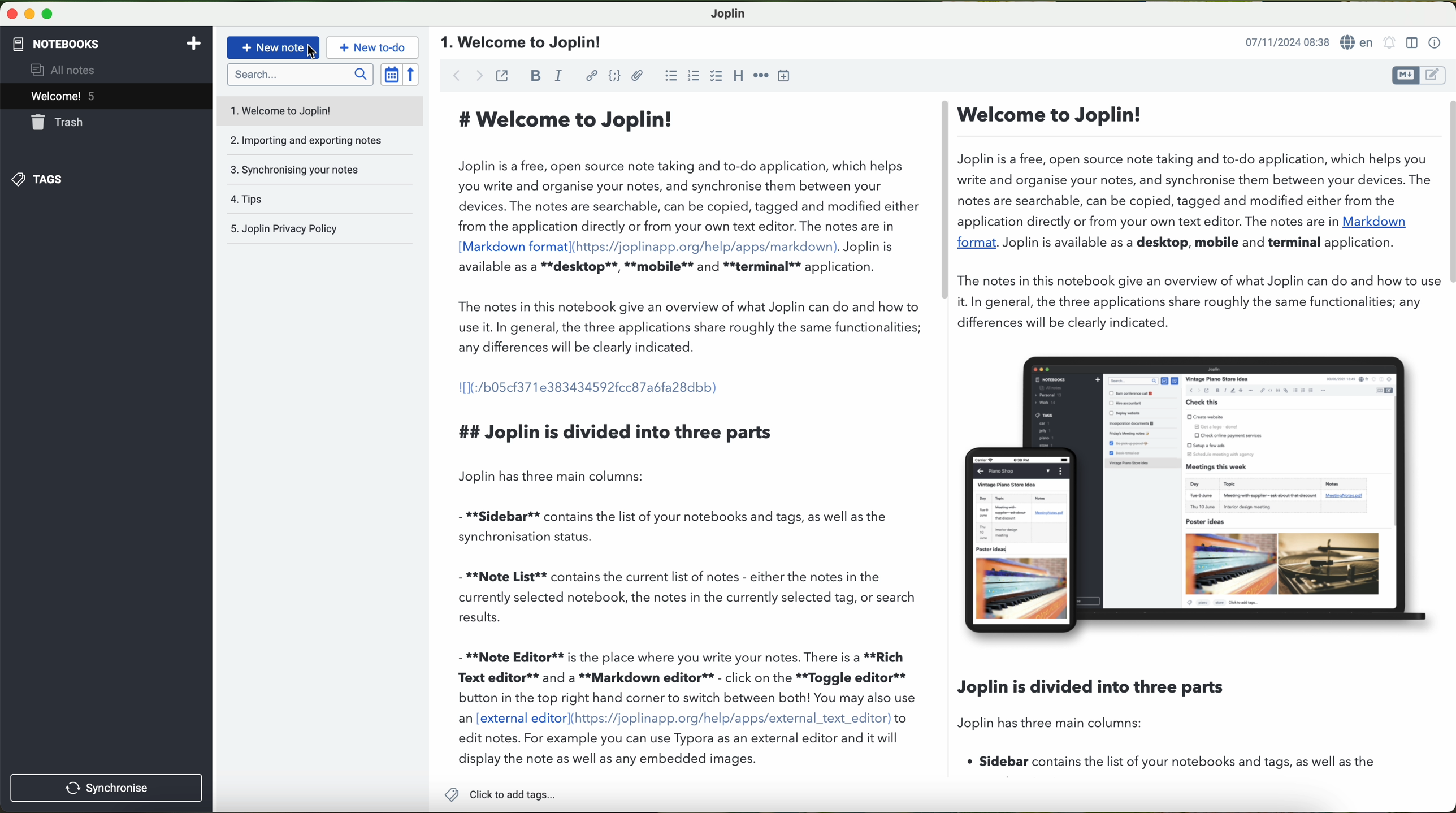 The image size is (1456, 813). I want to click on italic, so click(558, 75).